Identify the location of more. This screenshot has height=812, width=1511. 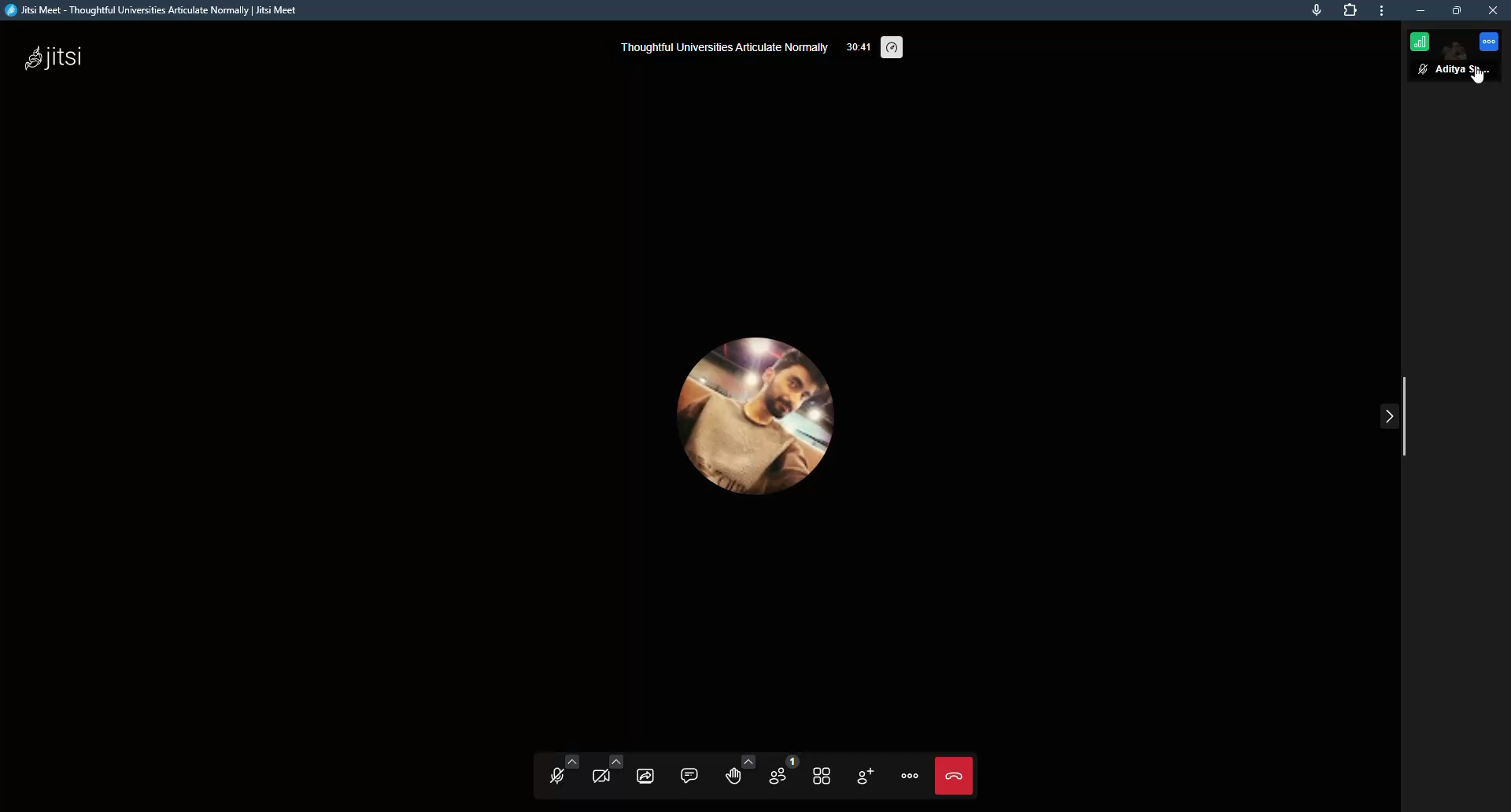
(1487, 41).